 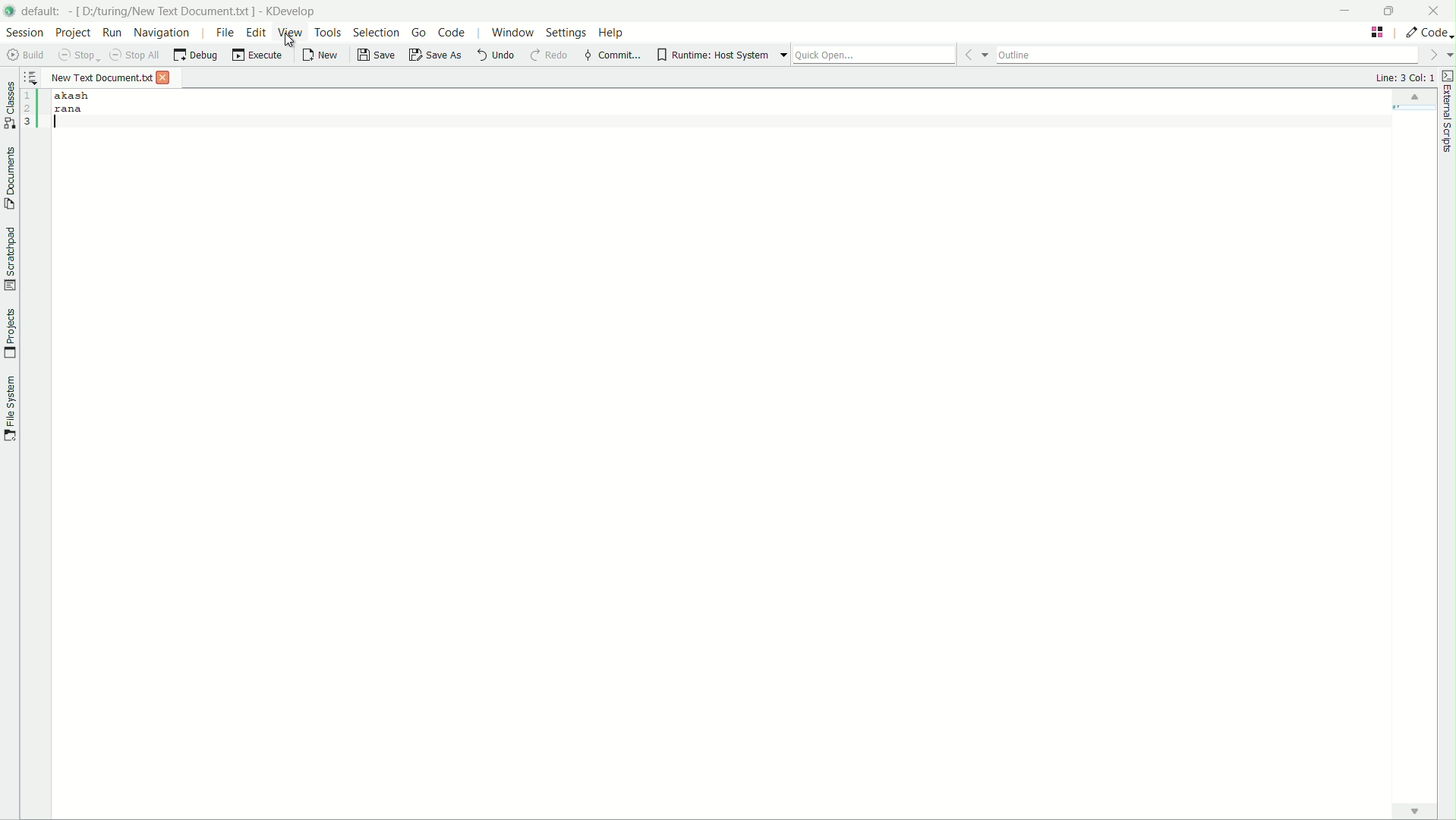 I want to click on runtime host system, so click(x=712, y=55).